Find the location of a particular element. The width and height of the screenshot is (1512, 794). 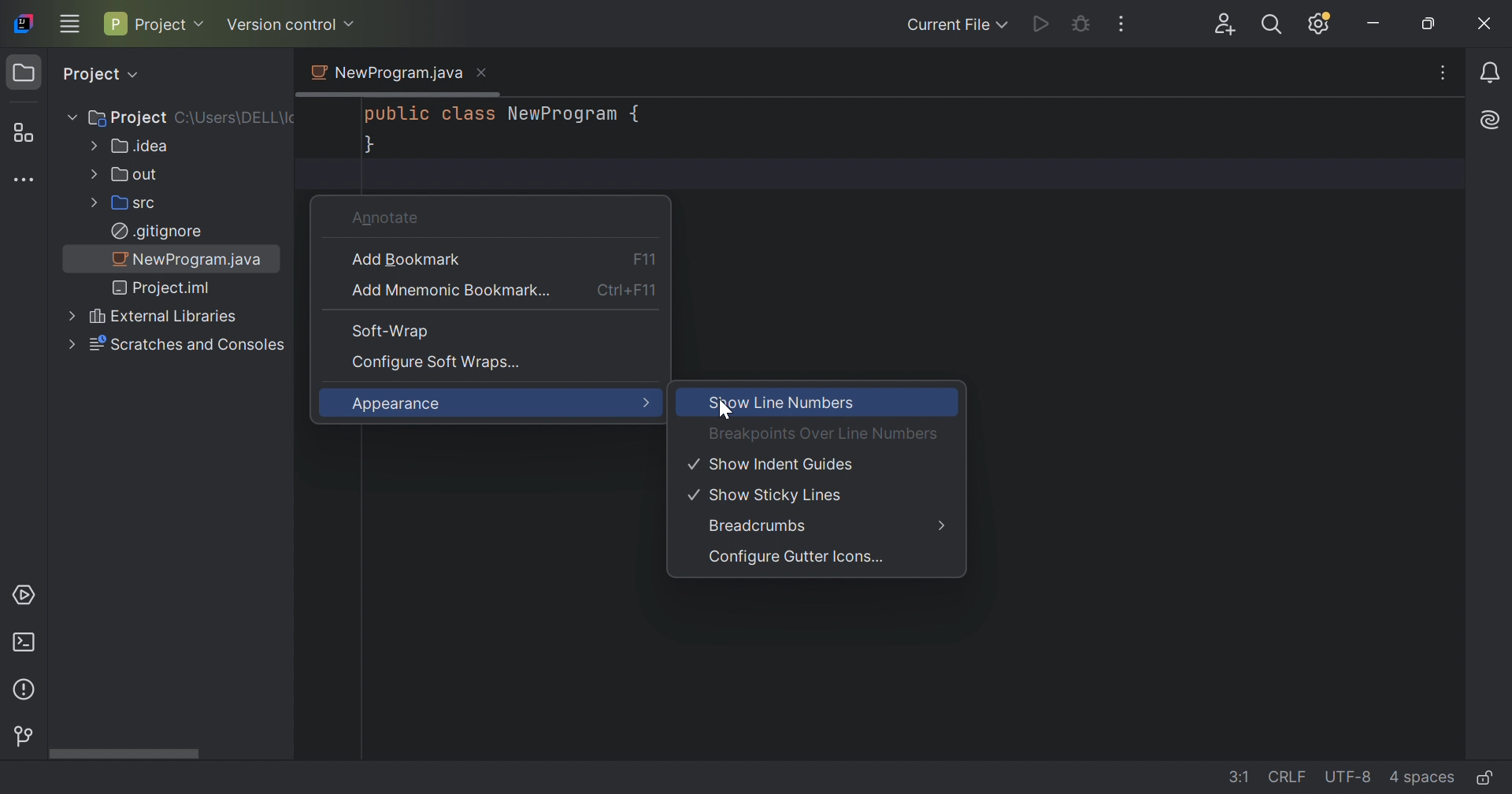

NewProgram.java is located at coordinates (384, 72).